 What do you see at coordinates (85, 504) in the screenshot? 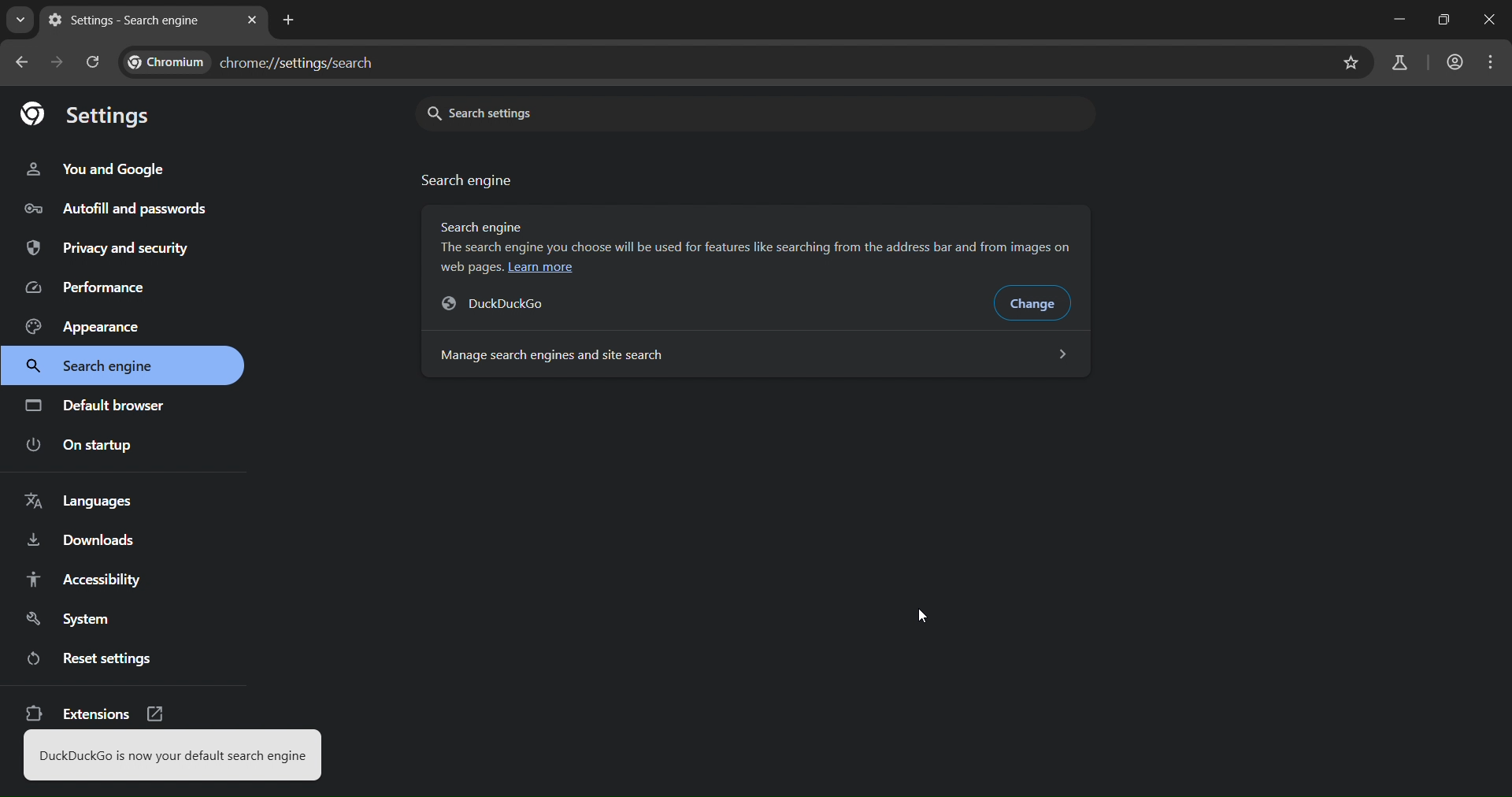
I see `languages` at bounding box center [85, 504].